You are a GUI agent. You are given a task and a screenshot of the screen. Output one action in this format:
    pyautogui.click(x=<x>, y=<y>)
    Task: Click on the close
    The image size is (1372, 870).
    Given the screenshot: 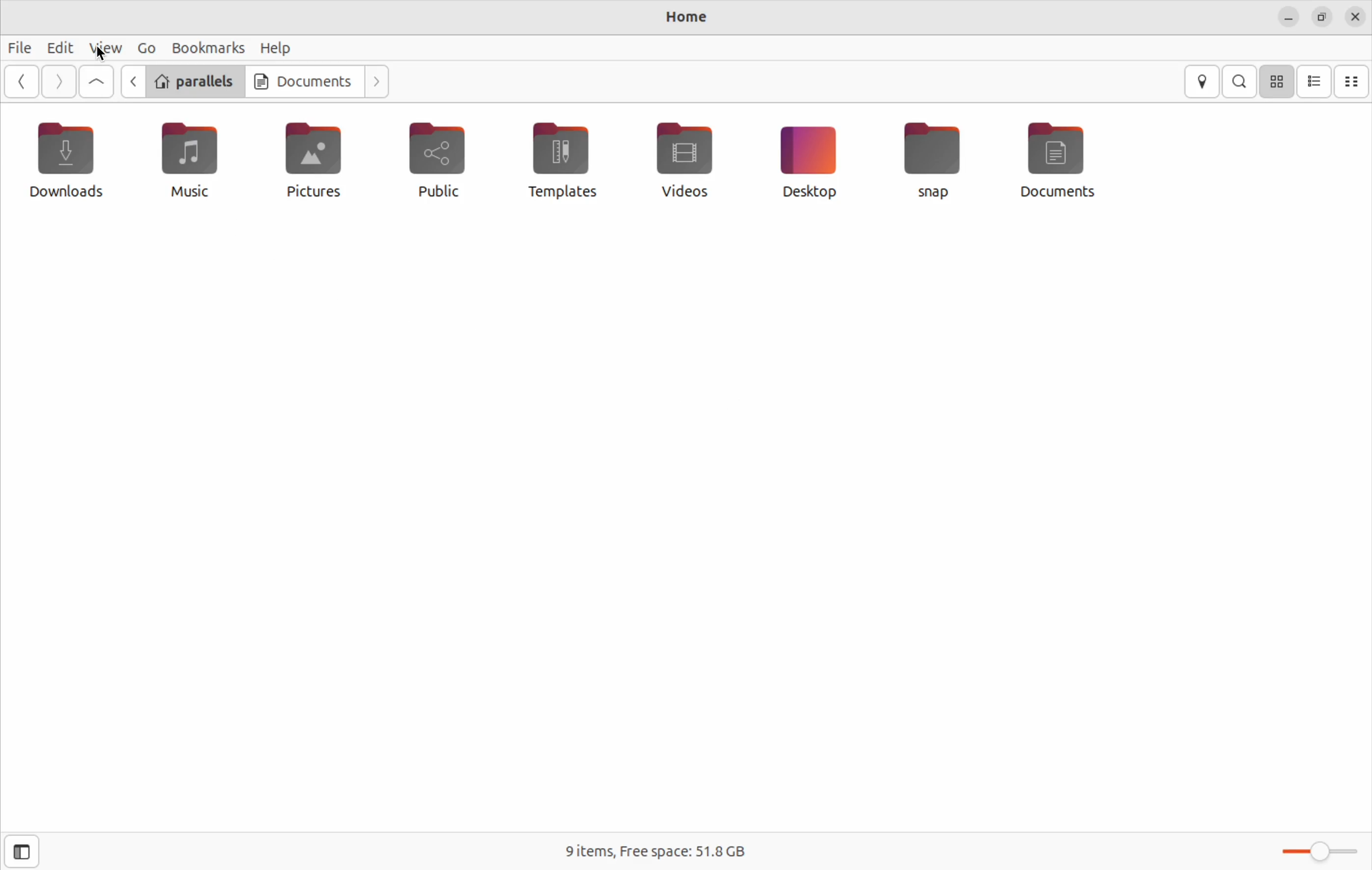 What is the action you would take?
    pyautogui.click(x=1357, y=18)
    